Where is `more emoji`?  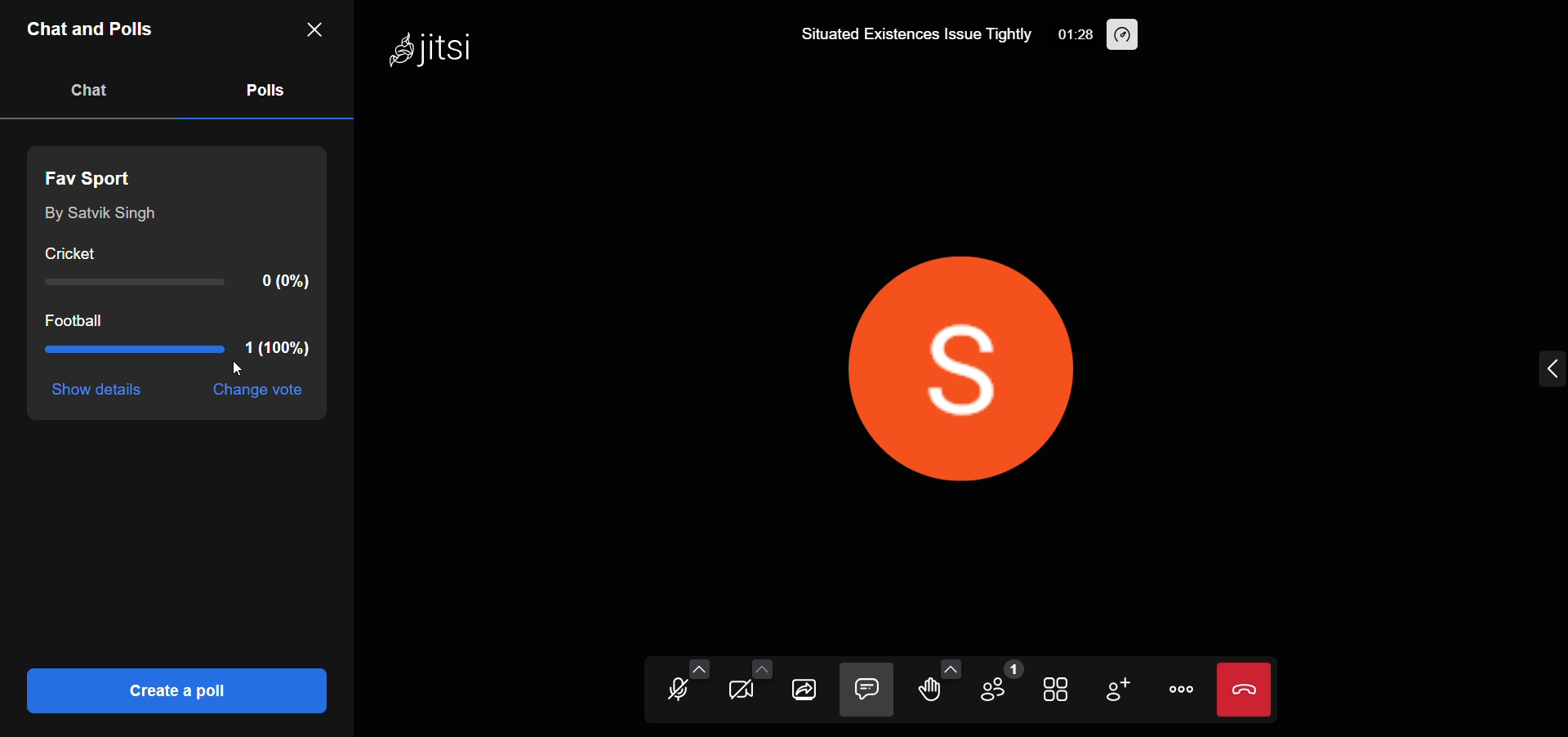
more emoji is located at coordinates (951, 666).